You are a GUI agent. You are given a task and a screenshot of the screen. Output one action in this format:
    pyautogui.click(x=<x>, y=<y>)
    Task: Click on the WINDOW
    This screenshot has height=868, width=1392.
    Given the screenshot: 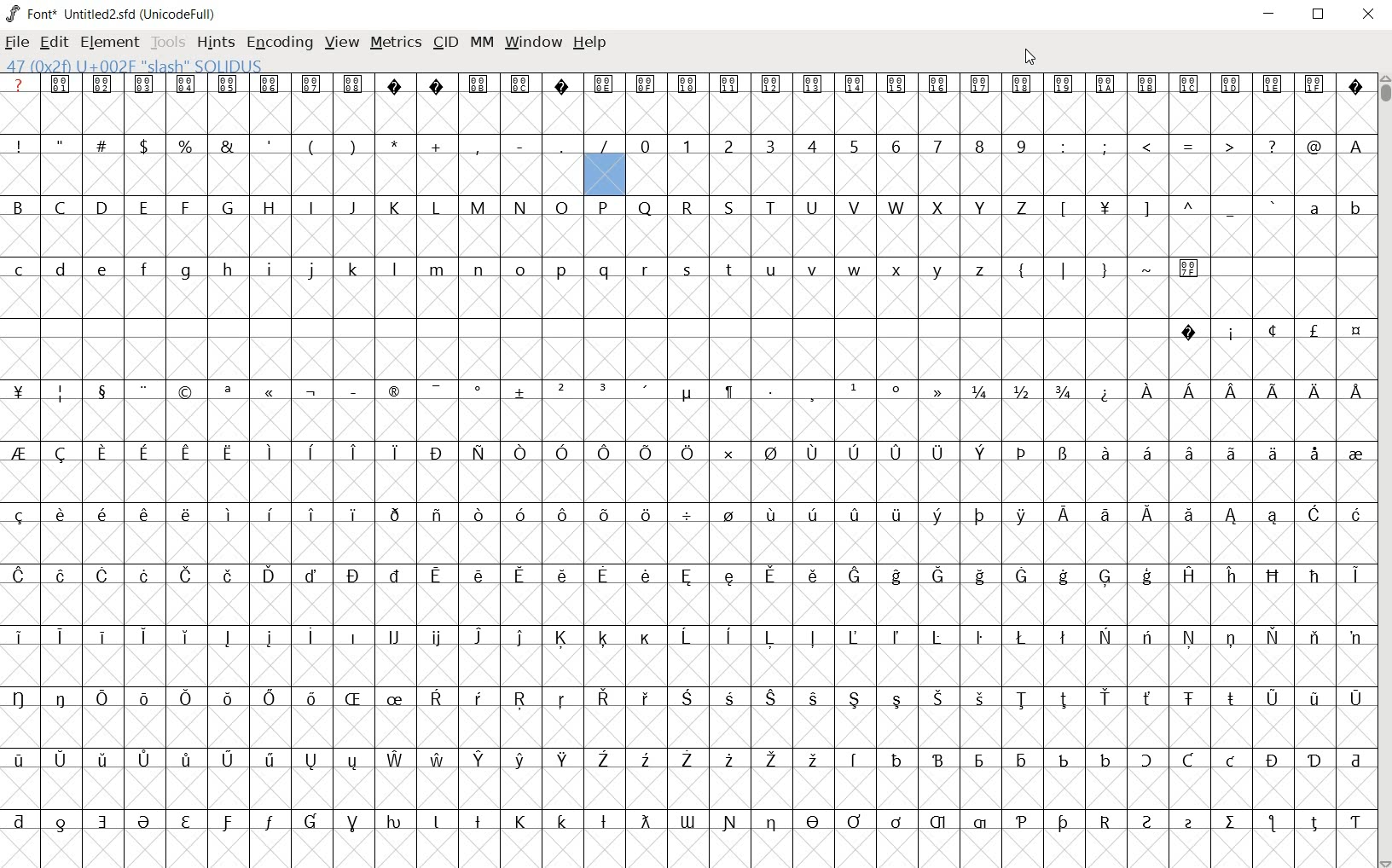 What is the action you would take?
    pyautogui.click(x=531, y=43)
    